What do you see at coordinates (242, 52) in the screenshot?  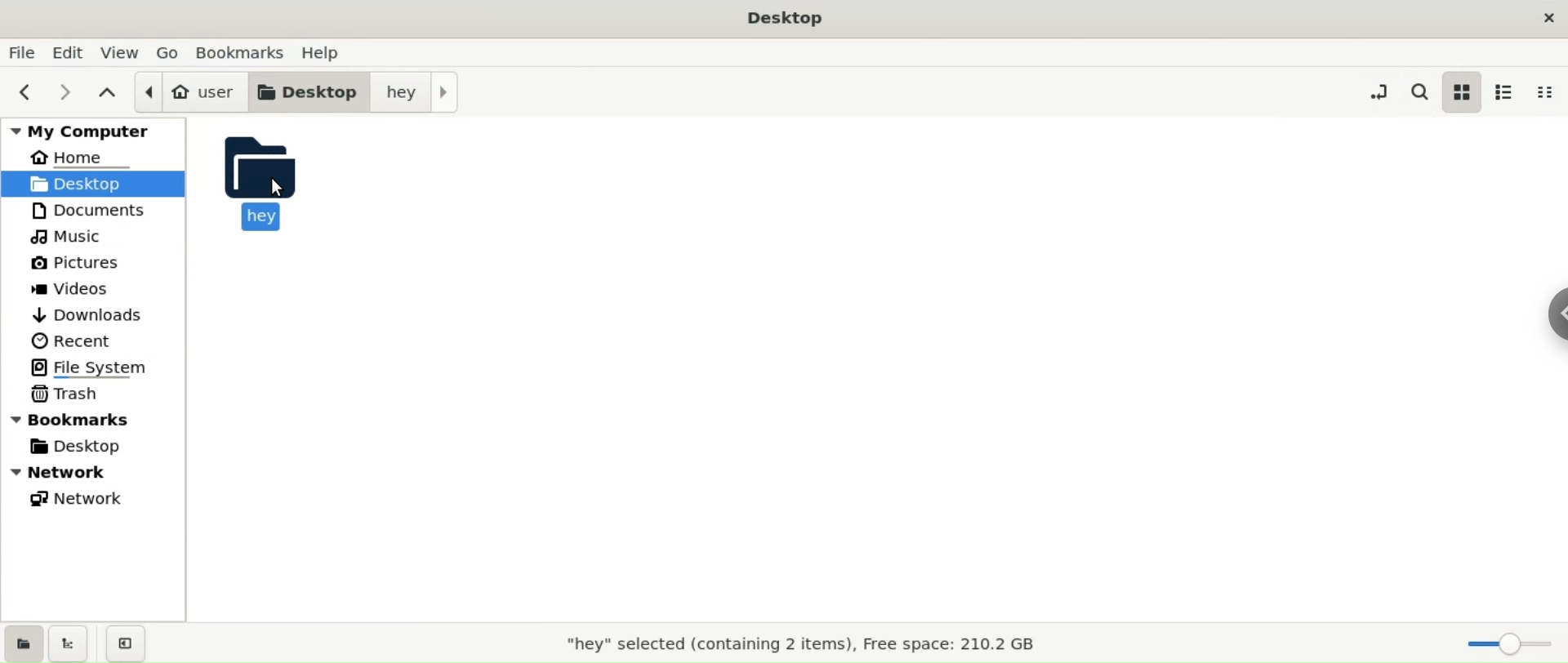 I see `bookmarks` at bounding box center [242, 52].